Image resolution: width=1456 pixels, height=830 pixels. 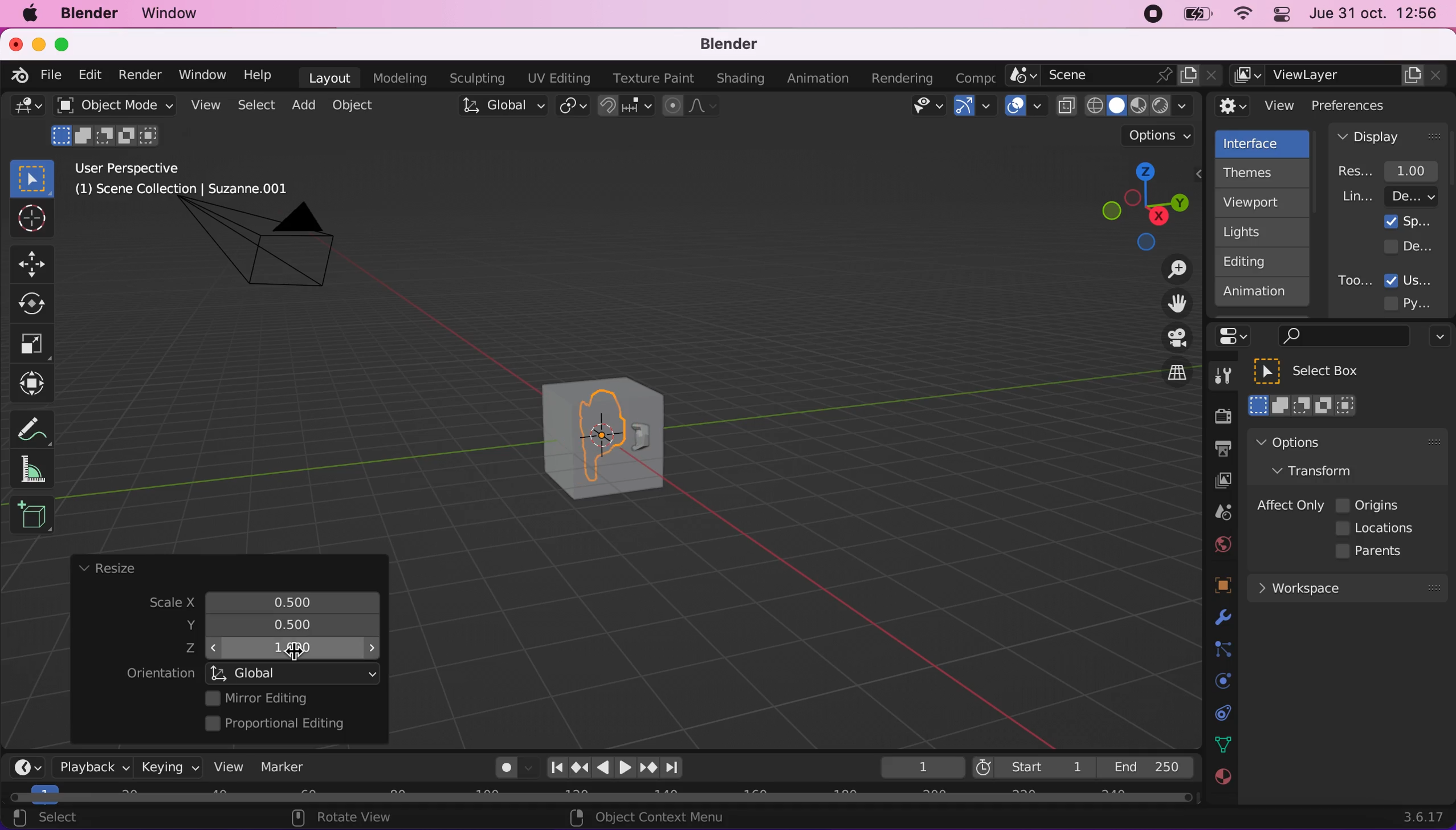 What do you see at coordinates (161, 604) in the screenshot?
I see `scale` at bounding box center [161, 604].